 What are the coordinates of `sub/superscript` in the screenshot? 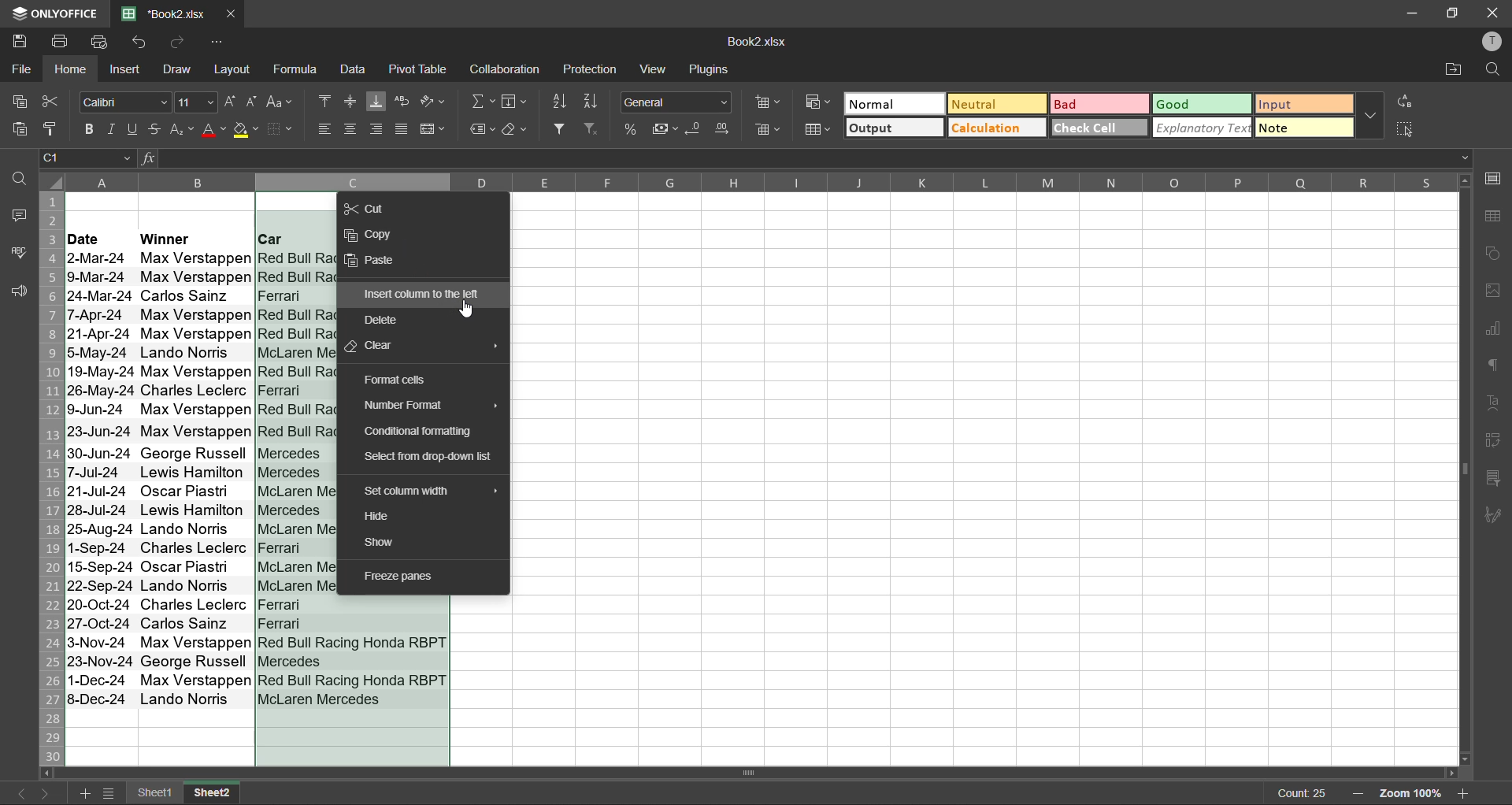 It's located at (183, 131).